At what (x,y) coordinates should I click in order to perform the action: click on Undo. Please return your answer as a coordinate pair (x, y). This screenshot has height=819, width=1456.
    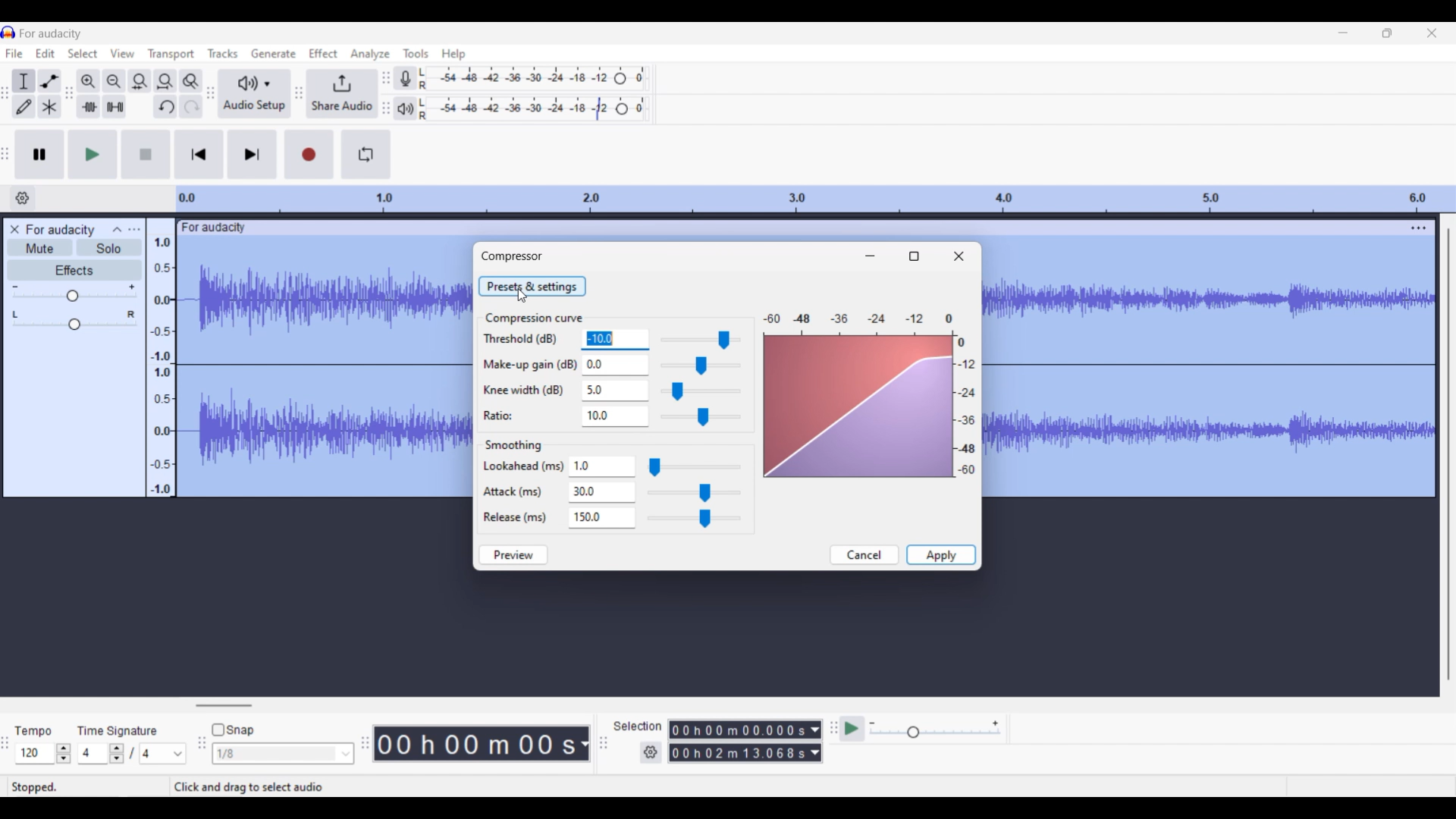
    Looking at the image, I should click on (165, 106).